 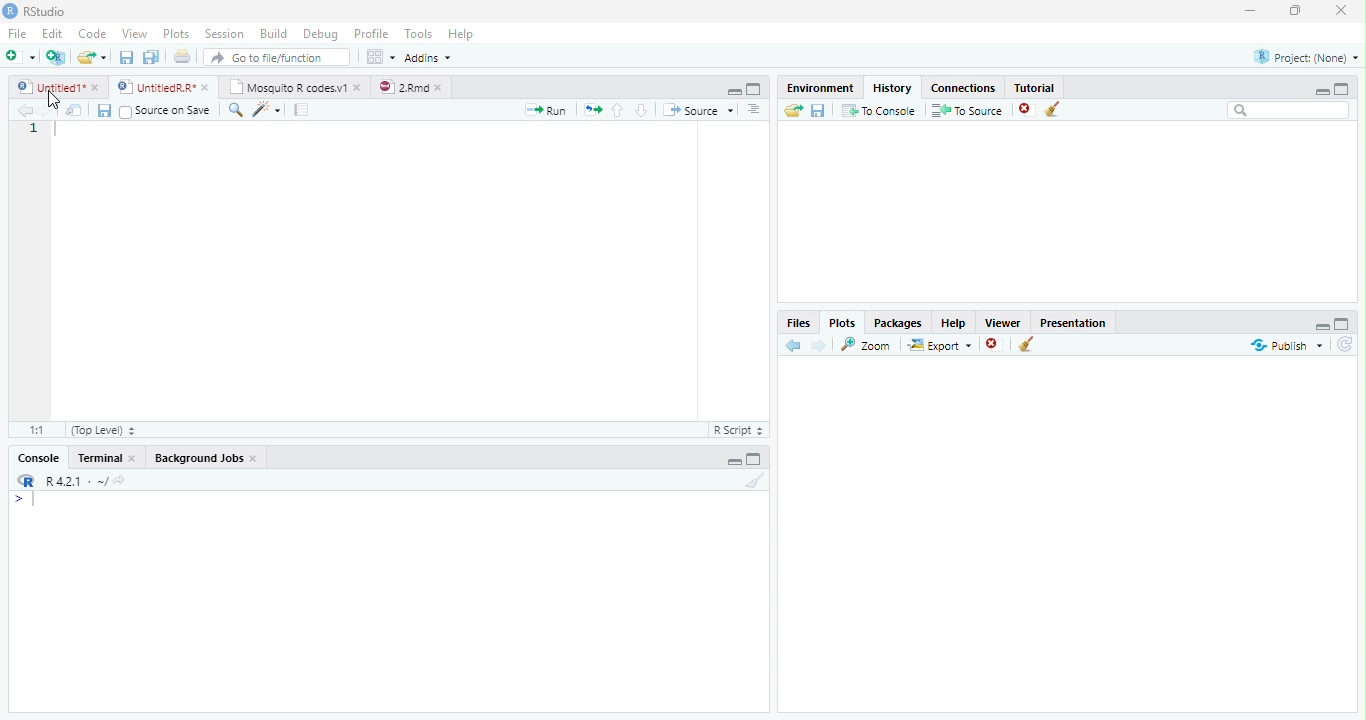 I want to click on Show in new window, so click(x=76, y=110).